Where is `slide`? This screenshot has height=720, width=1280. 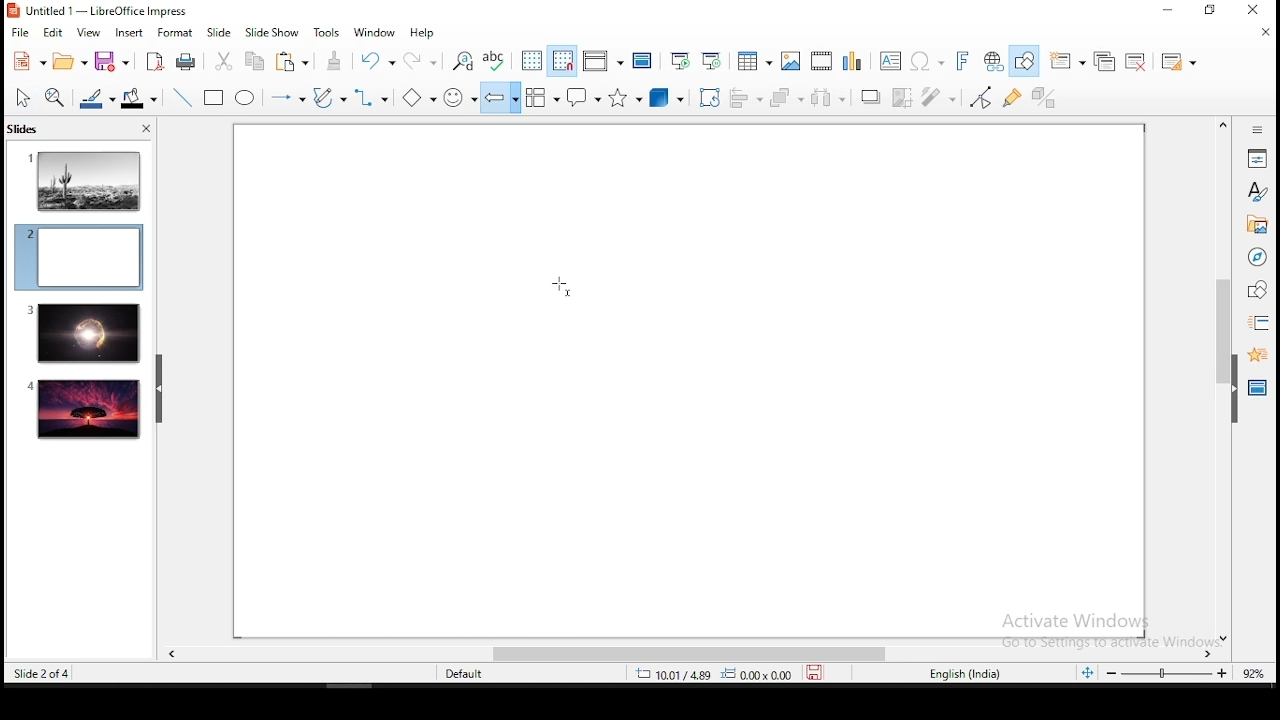 slide is located at coordinates (85, 410).